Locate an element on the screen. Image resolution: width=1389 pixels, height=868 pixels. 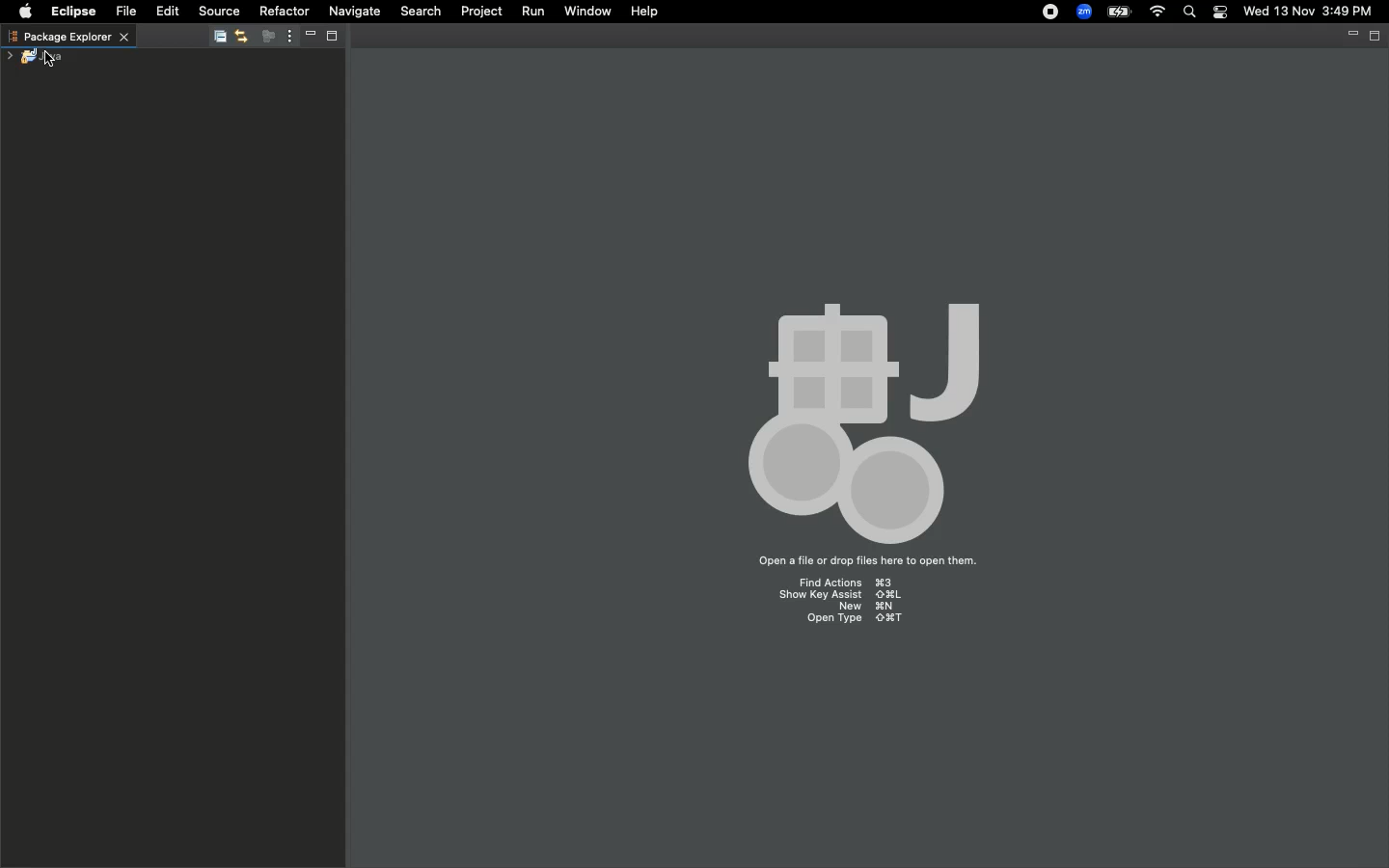
View menu is located at coordinates (287, 37).